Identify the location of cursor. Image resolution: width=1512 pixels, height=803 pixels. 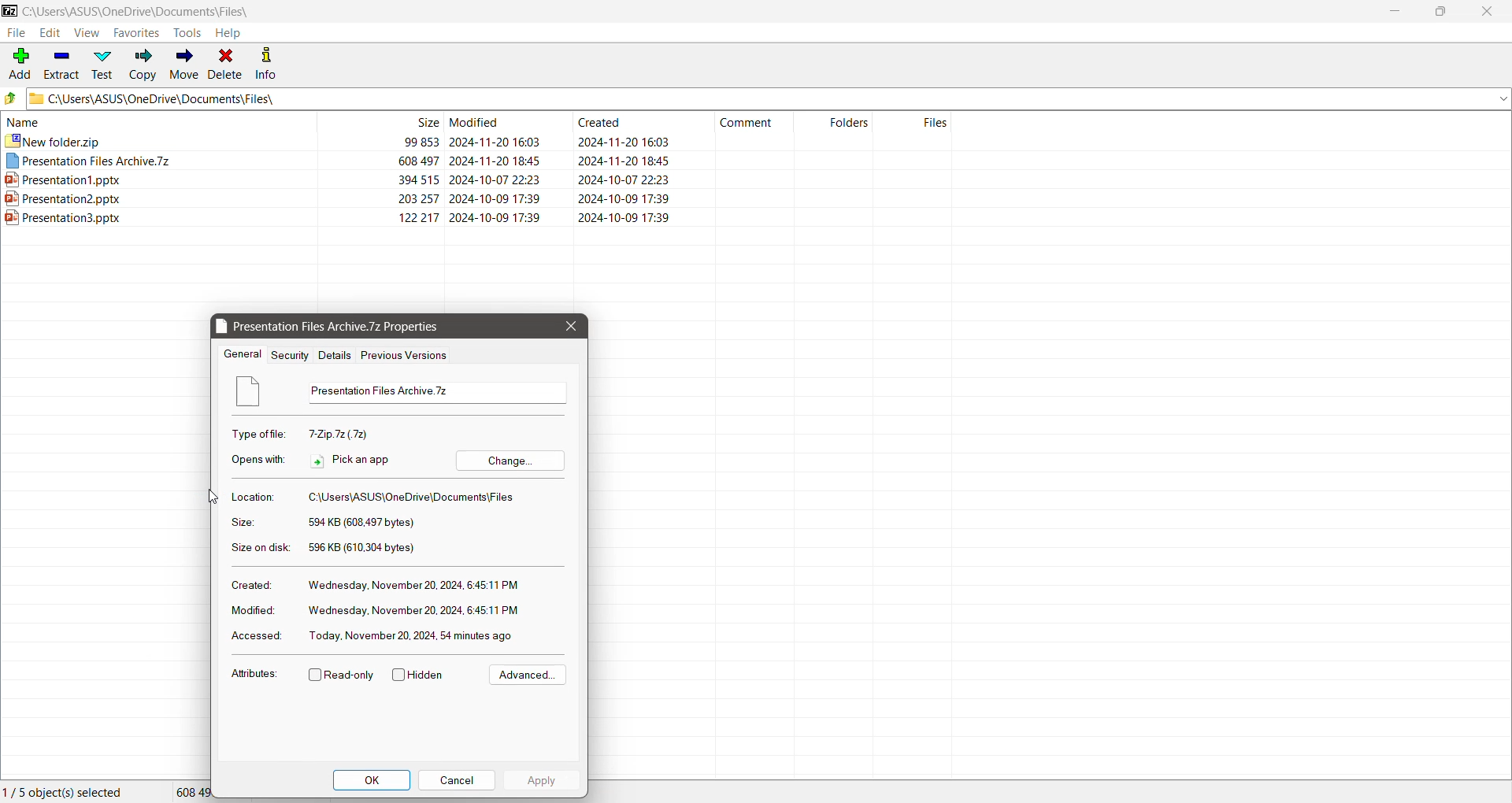
(213, 498).